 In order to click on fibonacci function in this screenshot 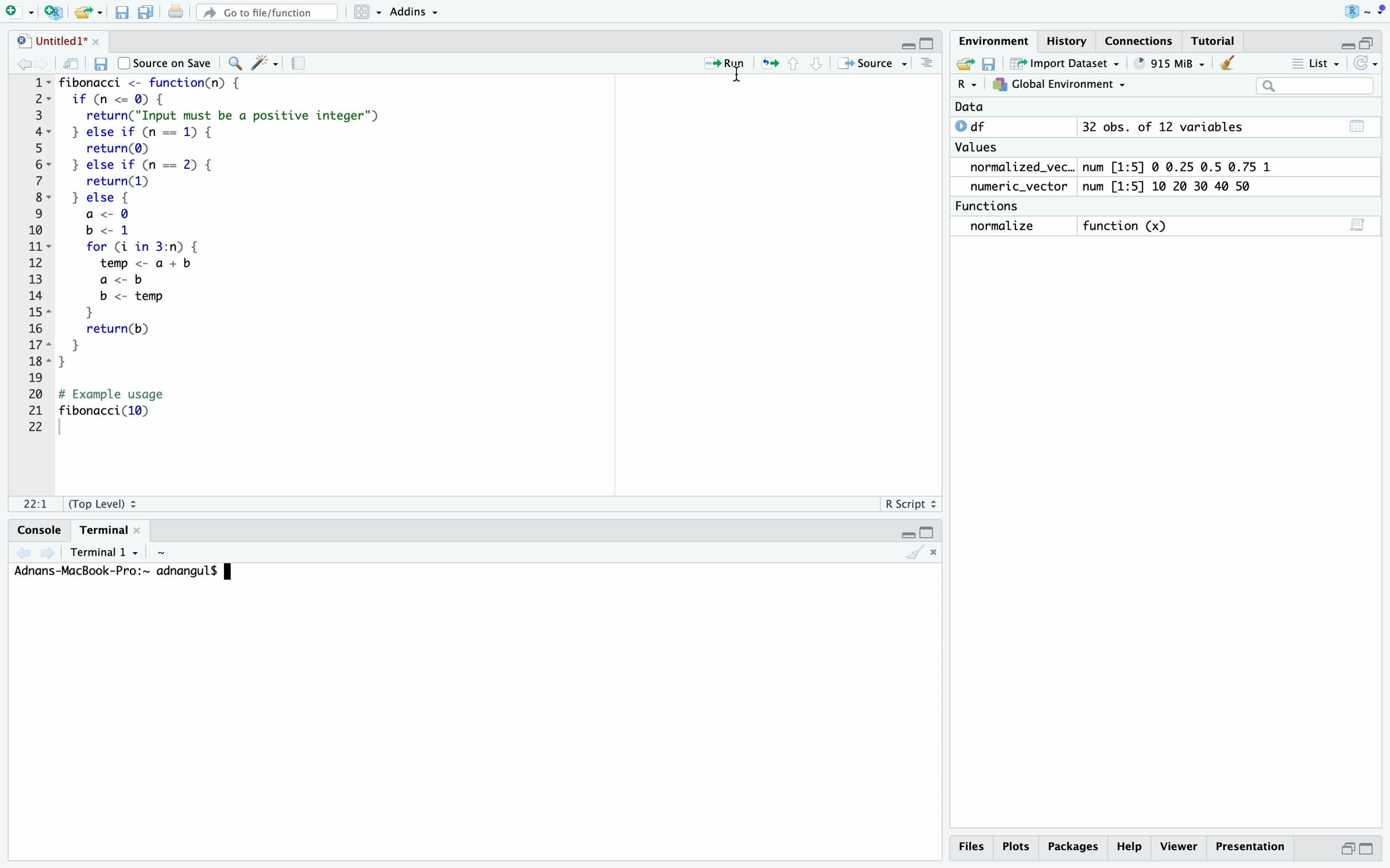, I will do `click(157, 84)`.